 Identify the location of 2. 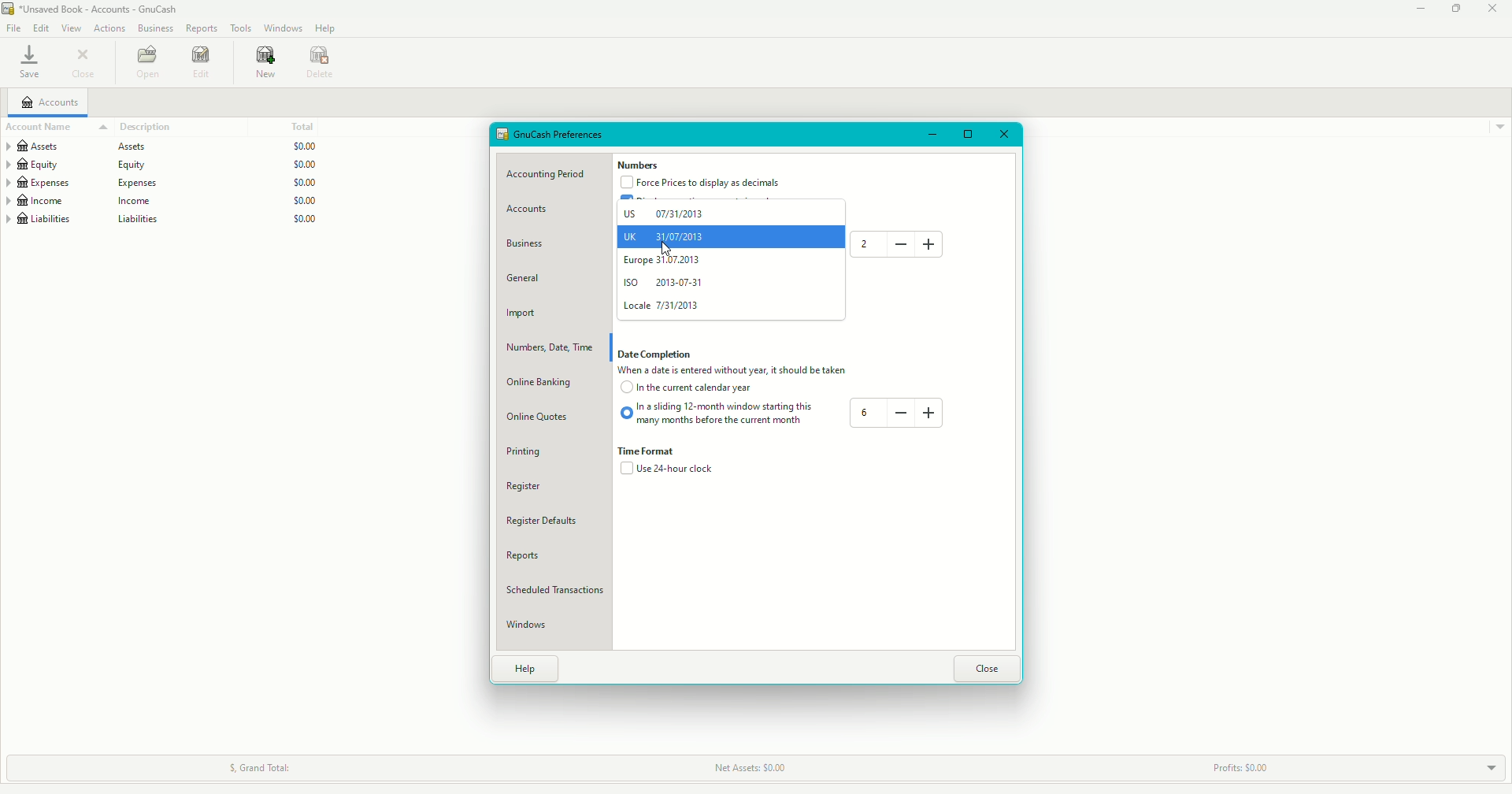
(862, 243).